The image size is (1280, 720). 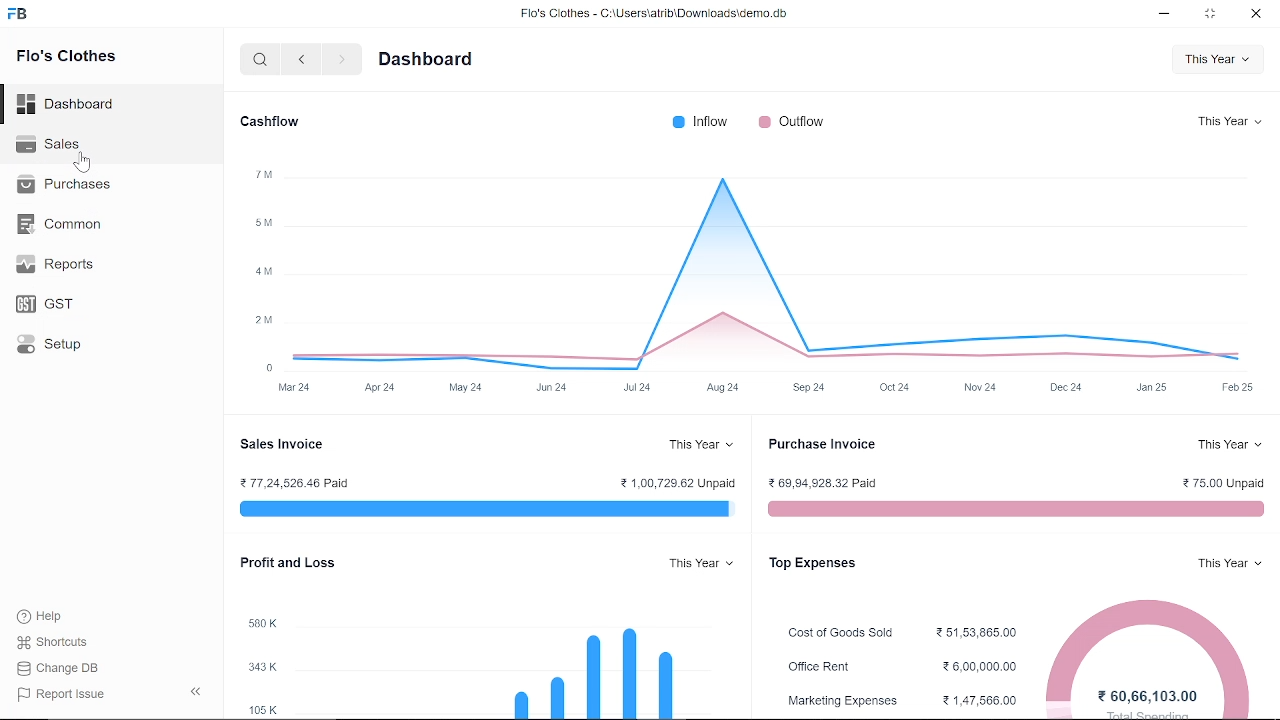 I want to click on Cashflow, so click(x=265, y=119).